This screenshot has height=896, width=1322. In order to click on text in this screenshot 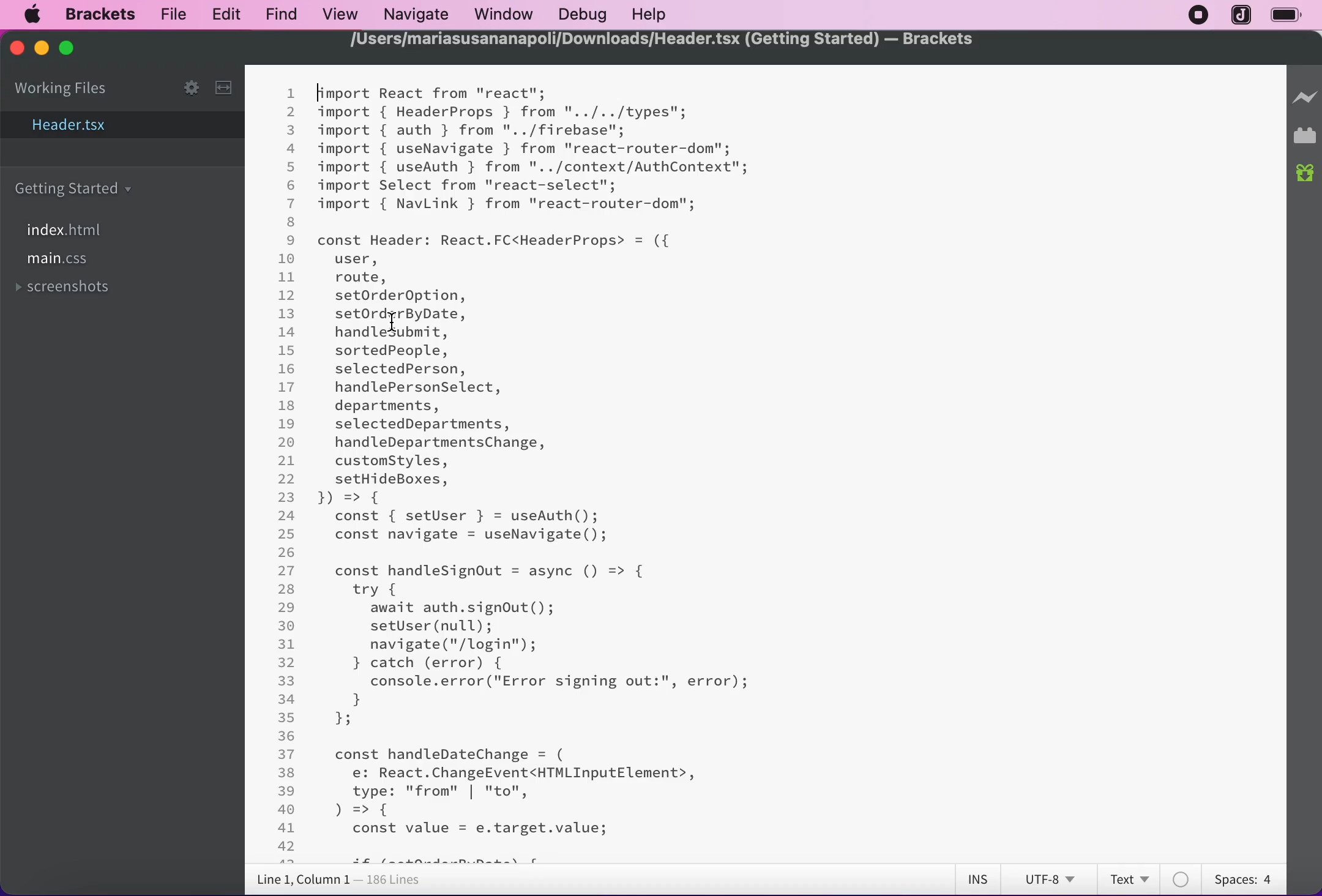, I will do `click(1132, 879)`.